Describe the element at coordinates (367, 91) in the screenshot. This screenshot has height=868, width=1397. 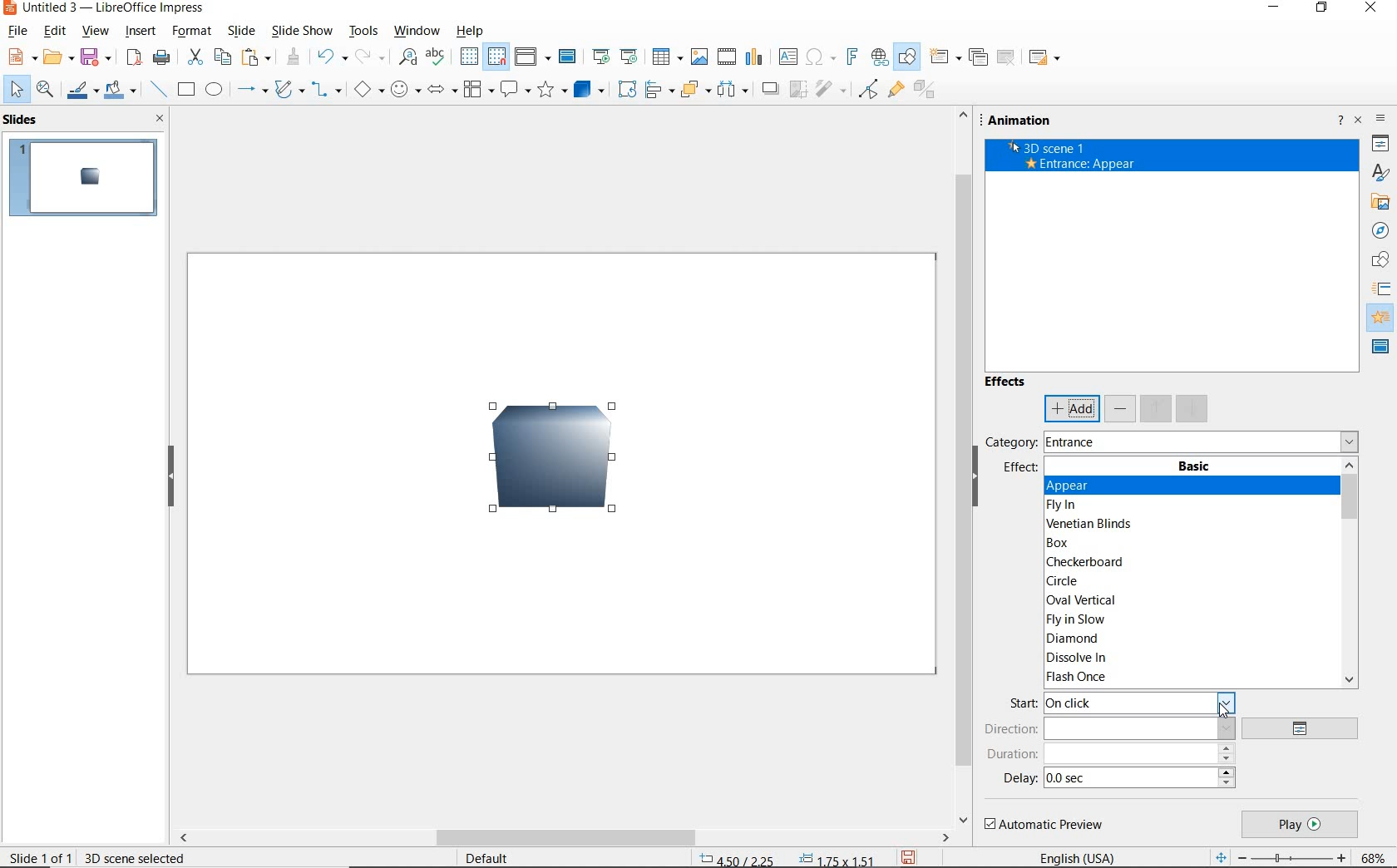
I see `basic shapes` at that location.